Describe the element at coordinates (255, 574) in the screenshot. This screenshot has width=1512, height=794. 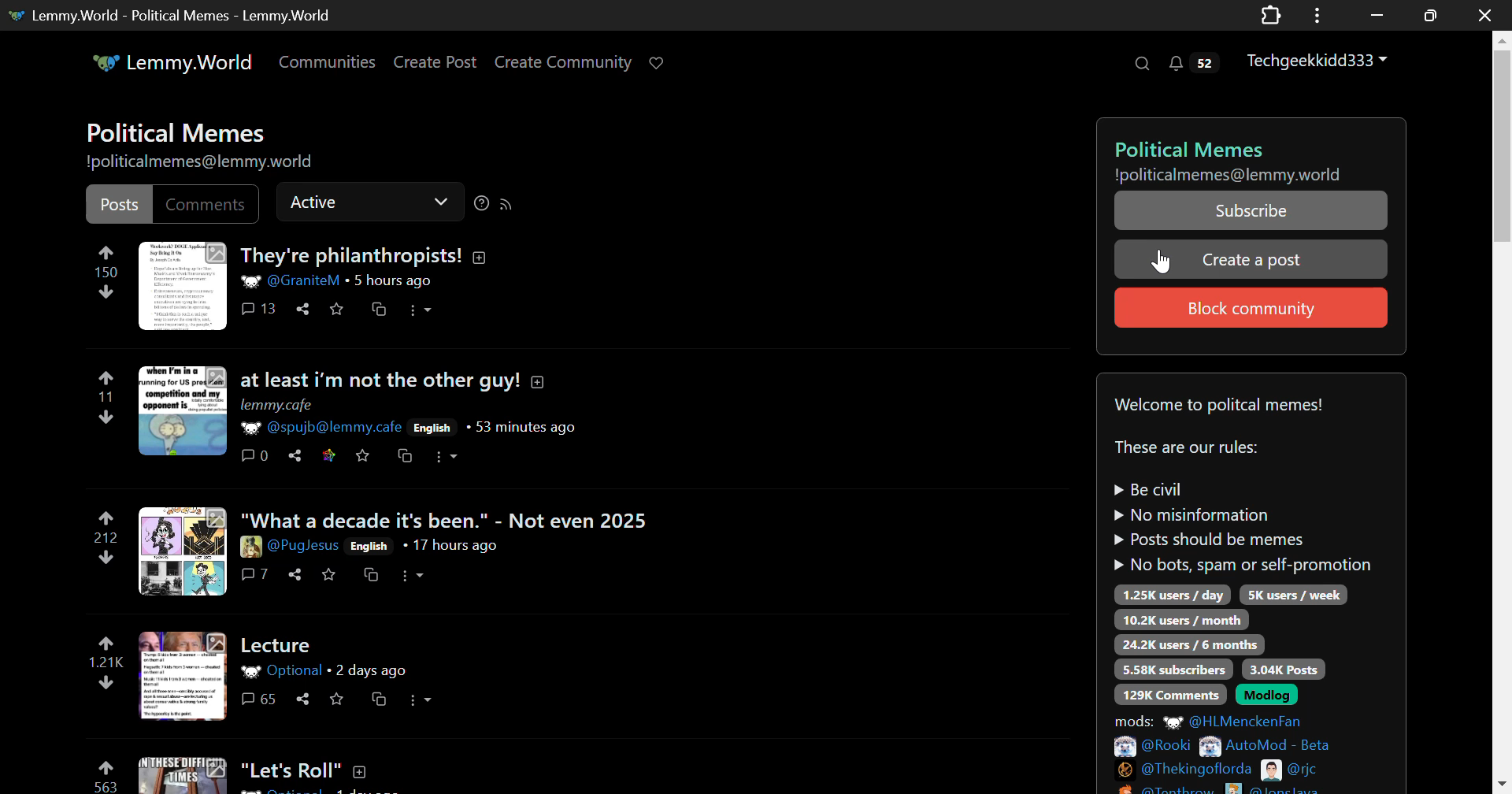
I see `Comments` at that location.